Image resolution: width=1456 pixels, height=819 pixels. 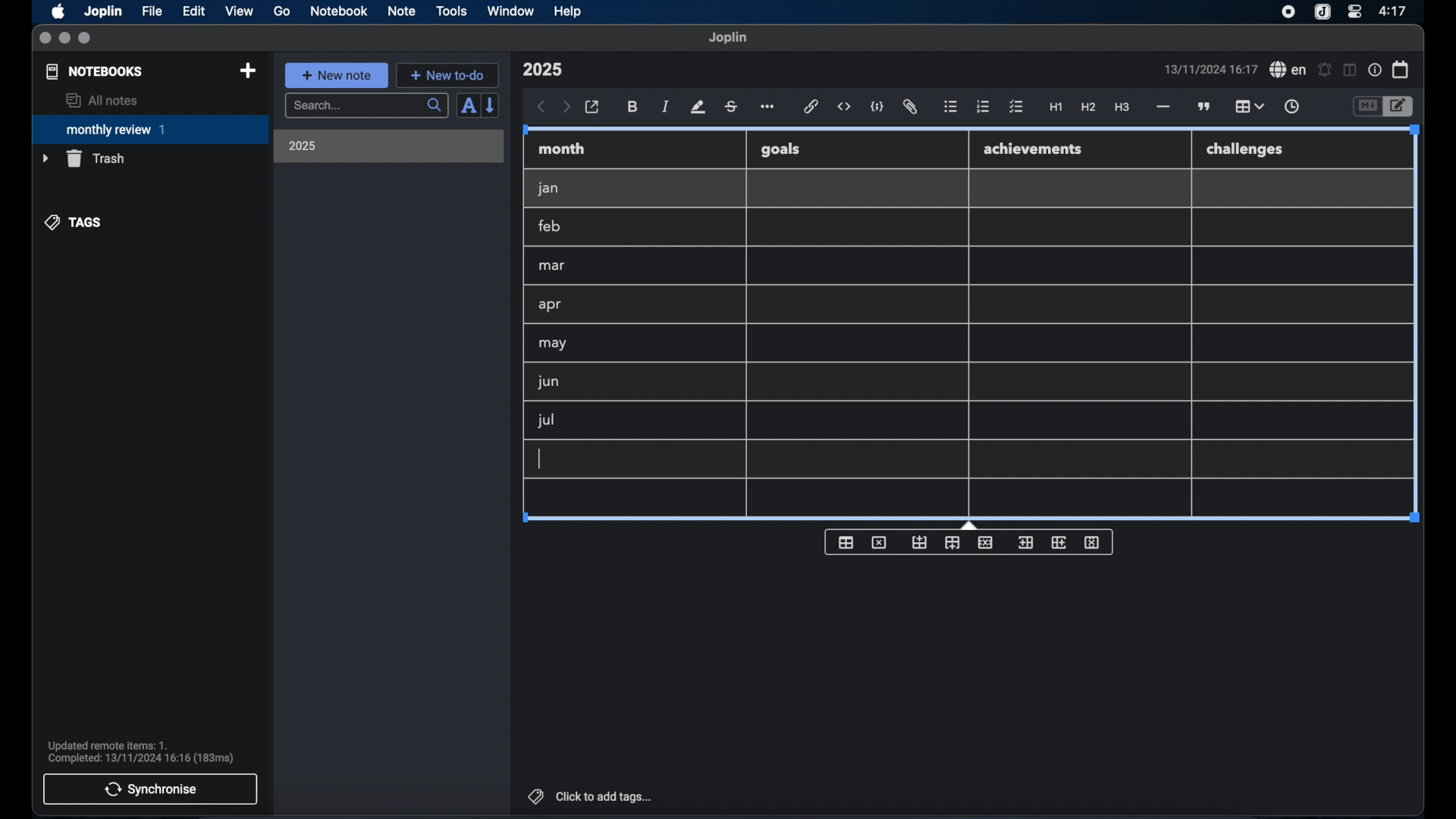 What do you see at coordinates (102, 100) in the screenshot?
I see `all notes` at bounding box center [102, 100].